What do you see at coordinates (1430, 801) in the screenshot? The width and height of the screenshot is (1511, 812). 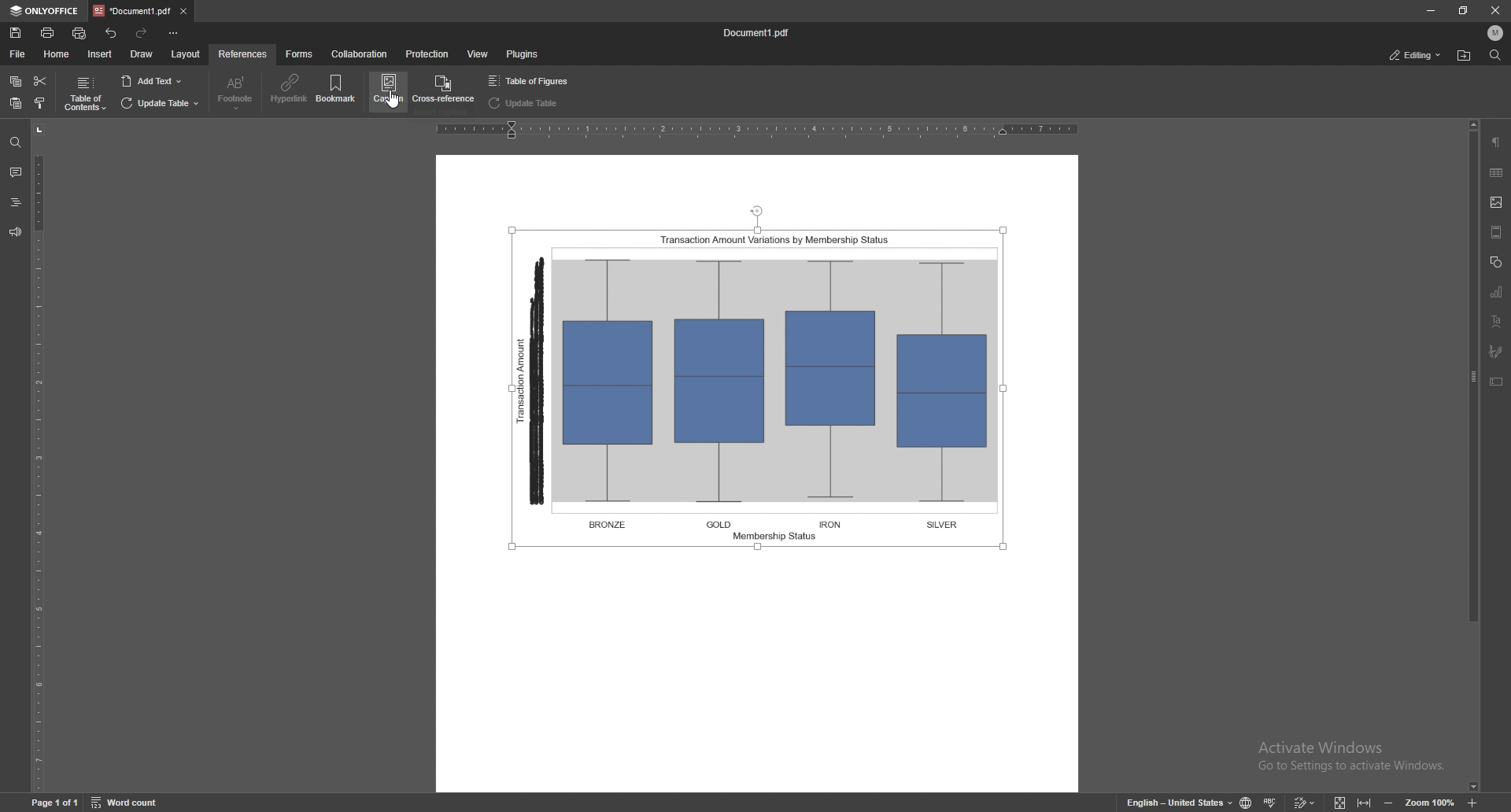 I see `zoom` at bounding box center [1430, 801].